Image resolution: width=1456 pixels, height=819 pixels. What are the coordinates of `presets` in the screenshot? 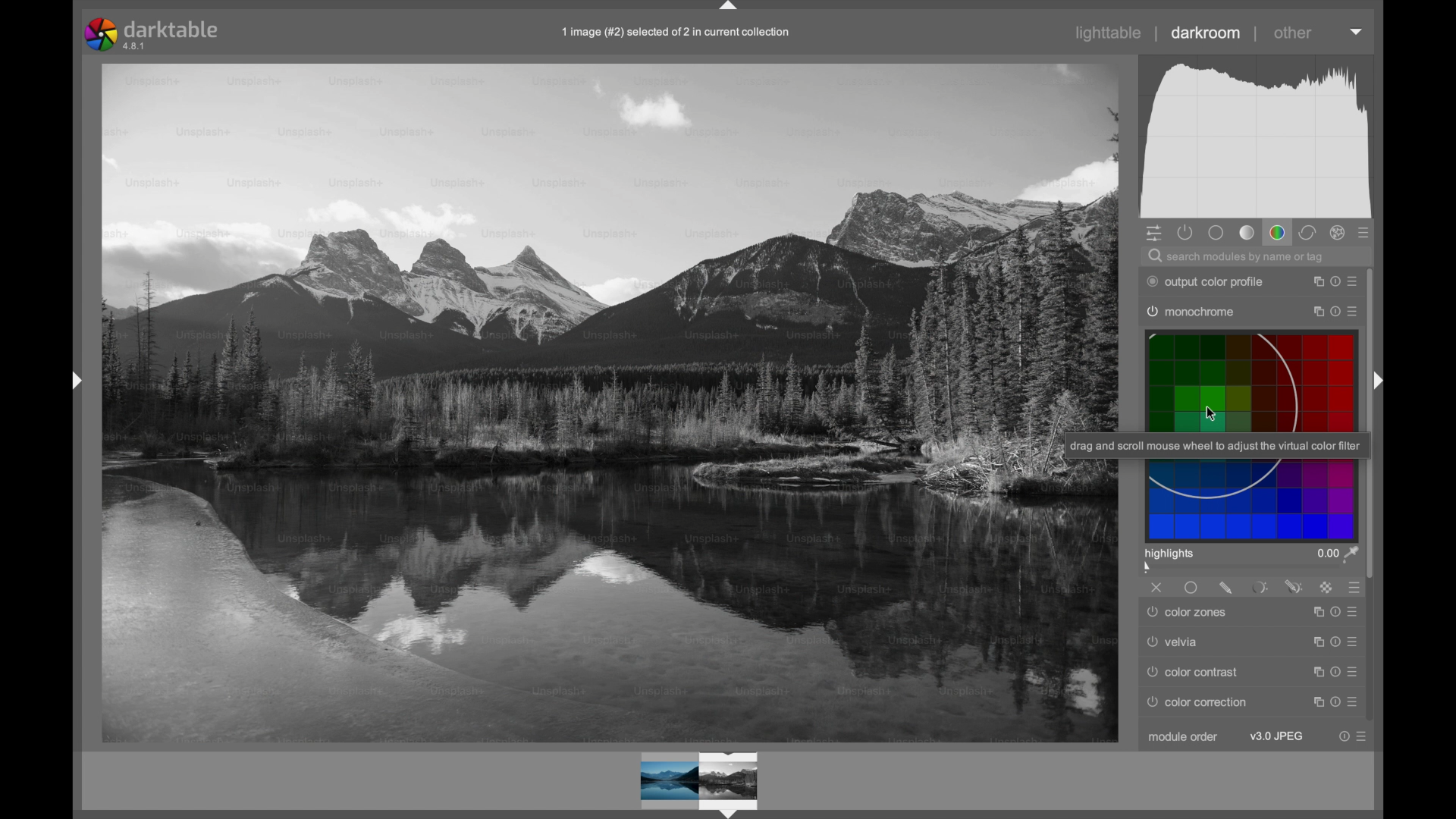 It's located at (1357, 311).